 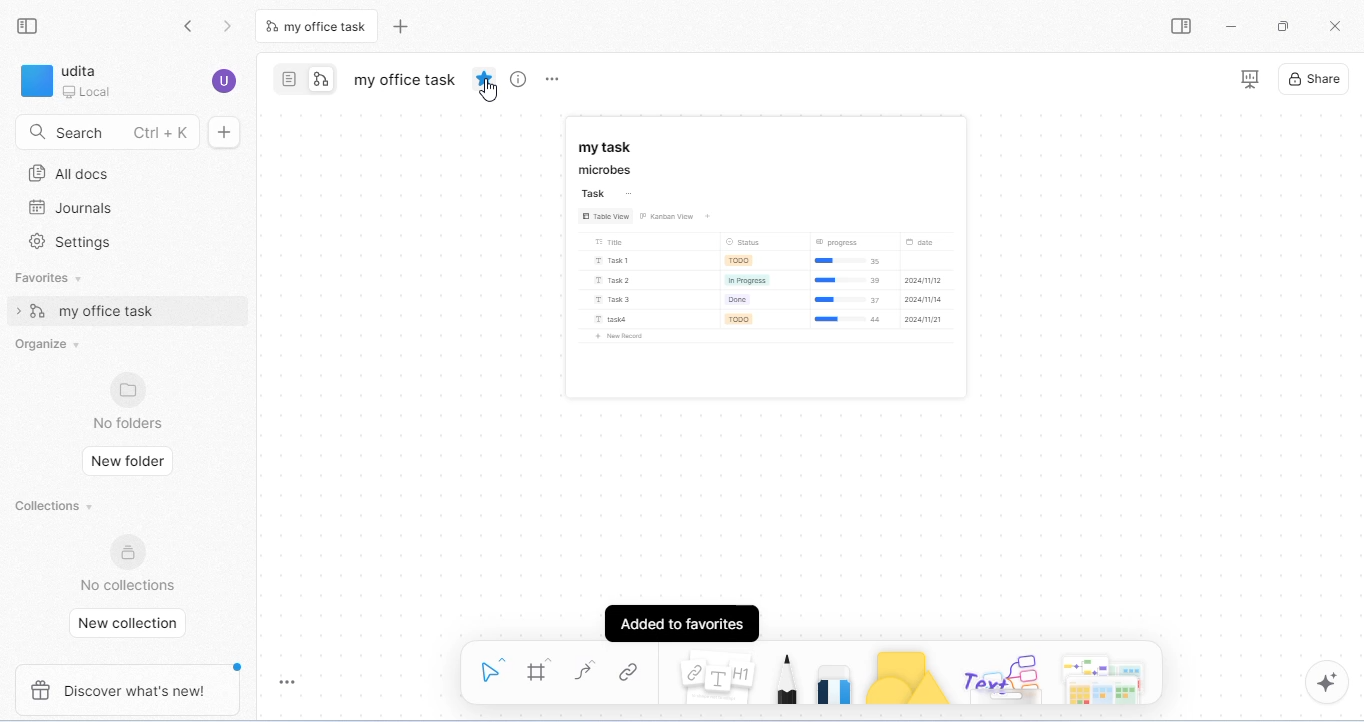 I want to click on pinned and appeared at the top, so click(x=770, y=255).